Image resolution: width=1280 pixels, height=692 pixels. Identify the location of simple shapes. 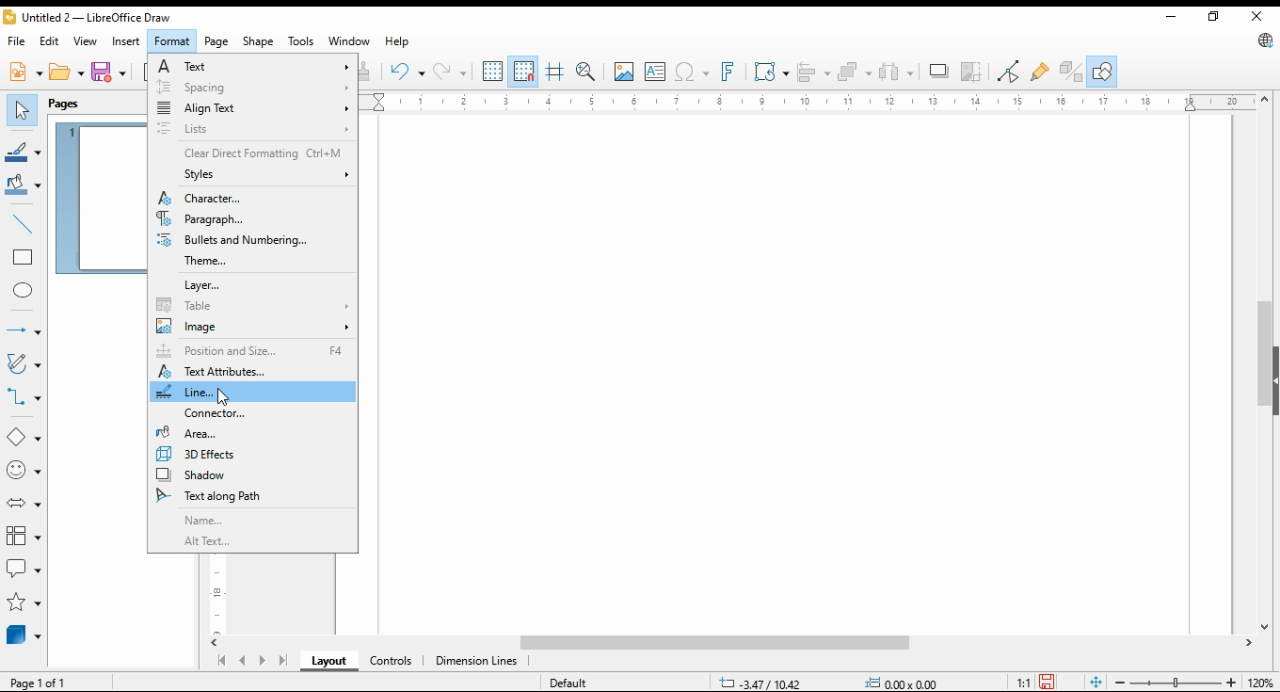
(25, 436).